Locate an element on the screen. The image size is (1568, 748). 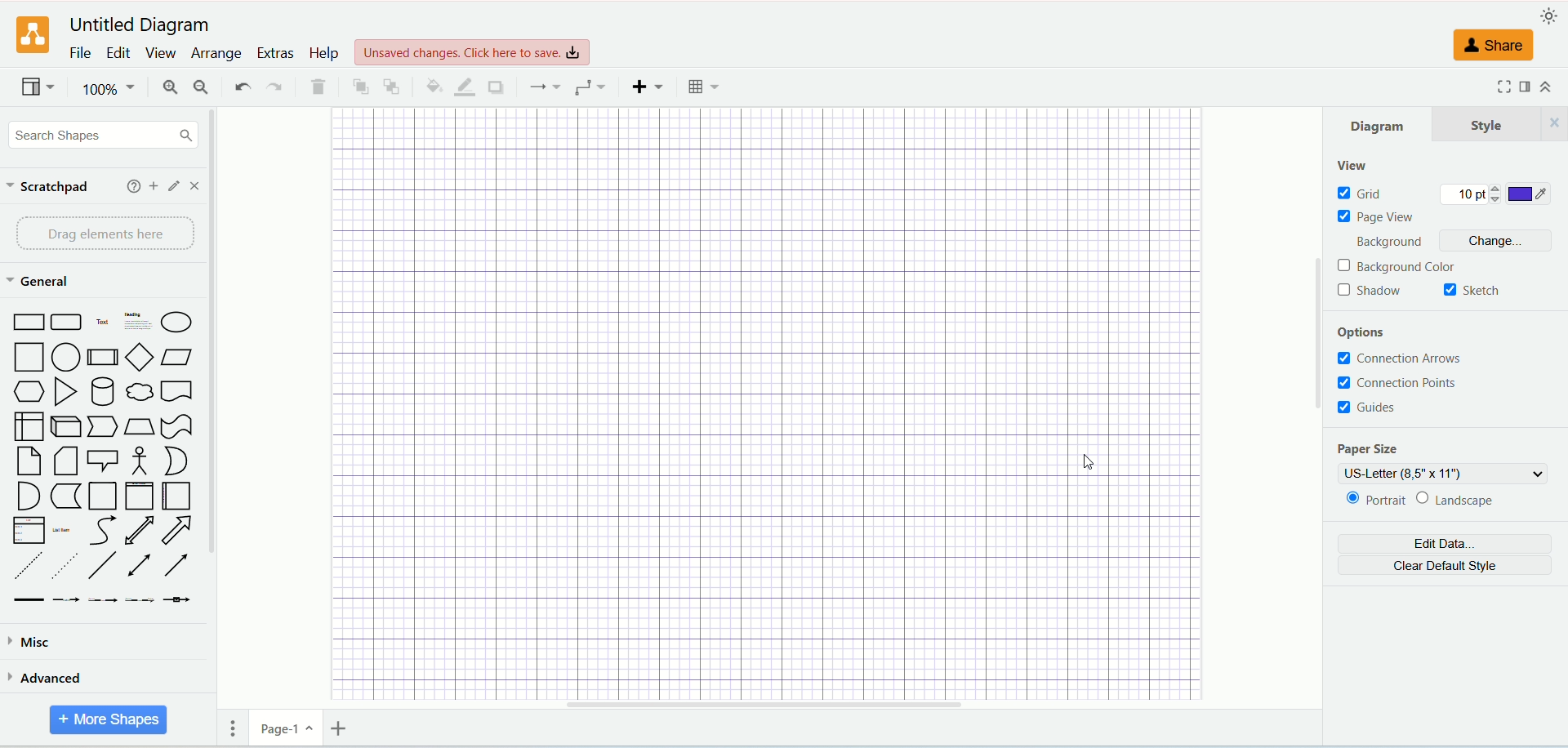
Container is located at coordinates (104, 496).